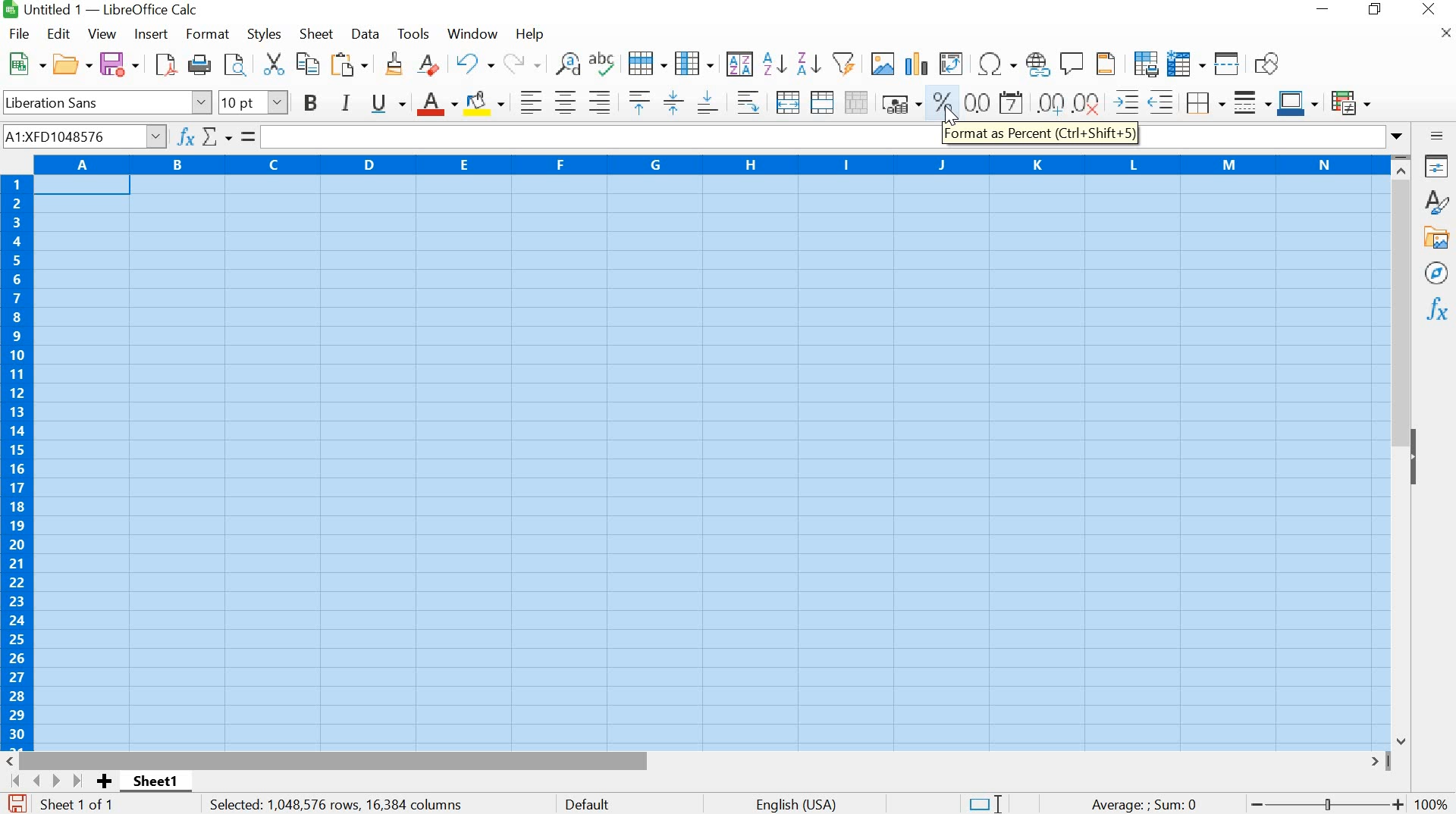  I want to click on Properties, so click(1437, 169).